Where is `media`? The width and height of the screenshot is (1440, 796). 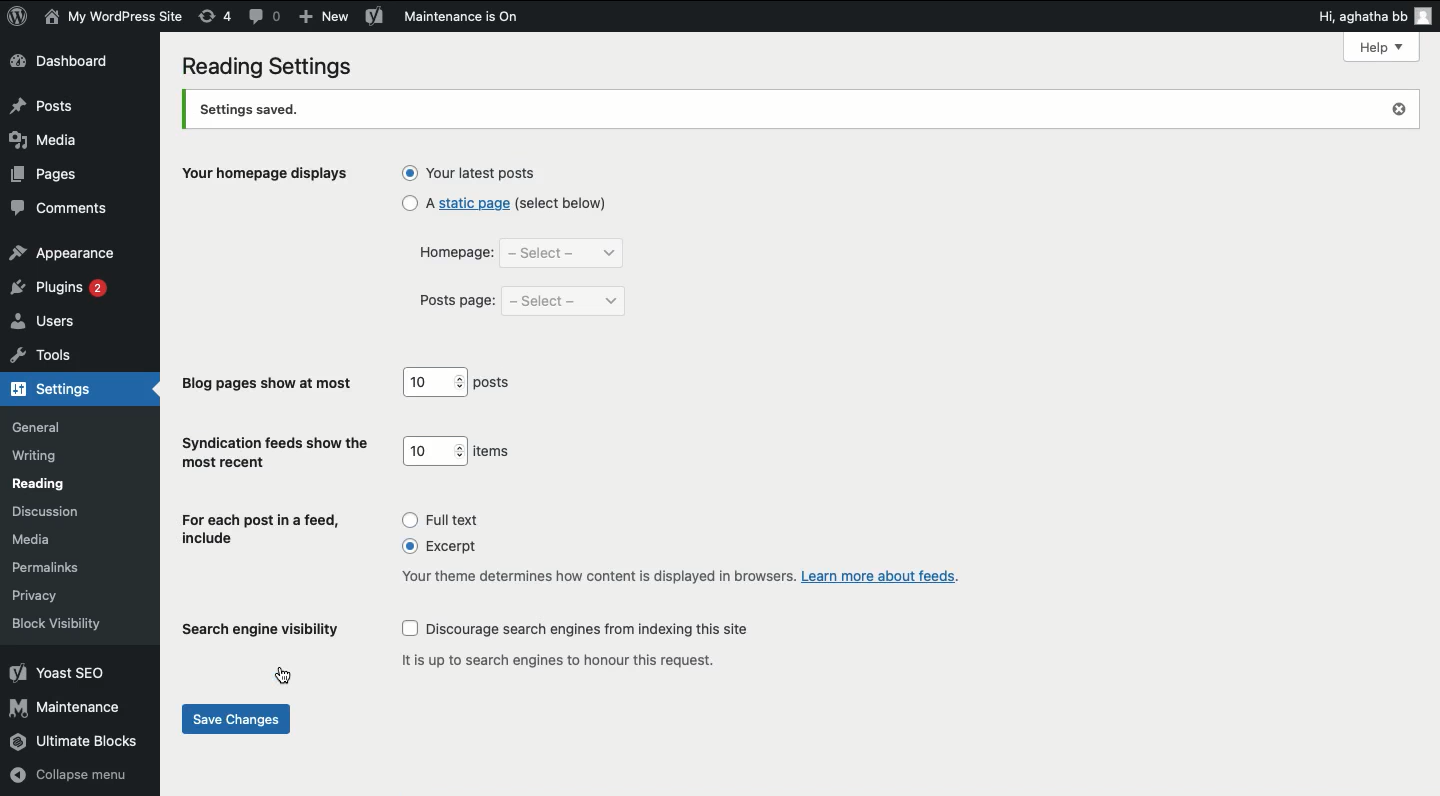
media is located at coordinates (48, 140).